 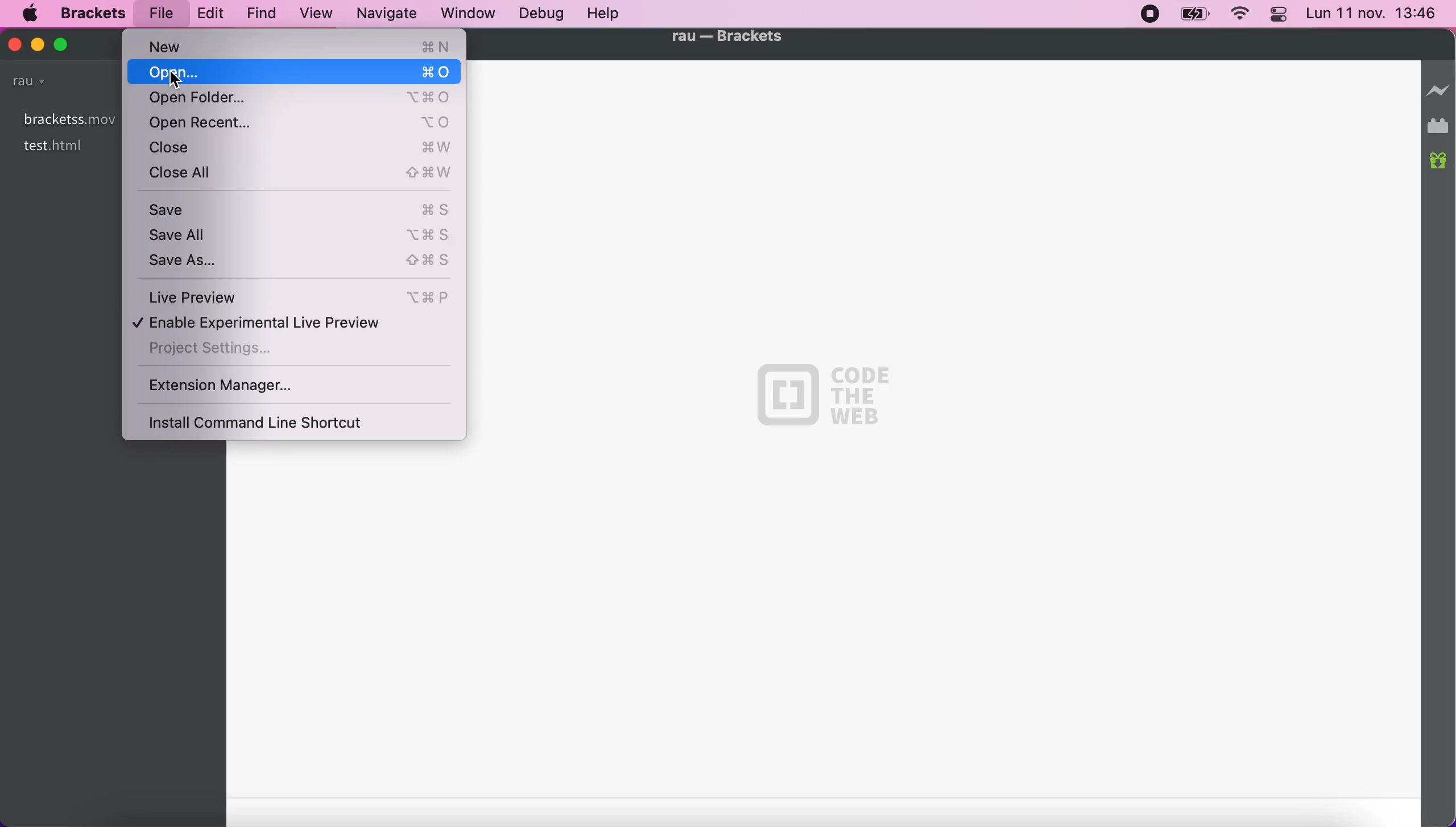 What do you see at coordinates (65, 47) in the screenshot?
I see `mazimize` at bounding box center [65, 47].